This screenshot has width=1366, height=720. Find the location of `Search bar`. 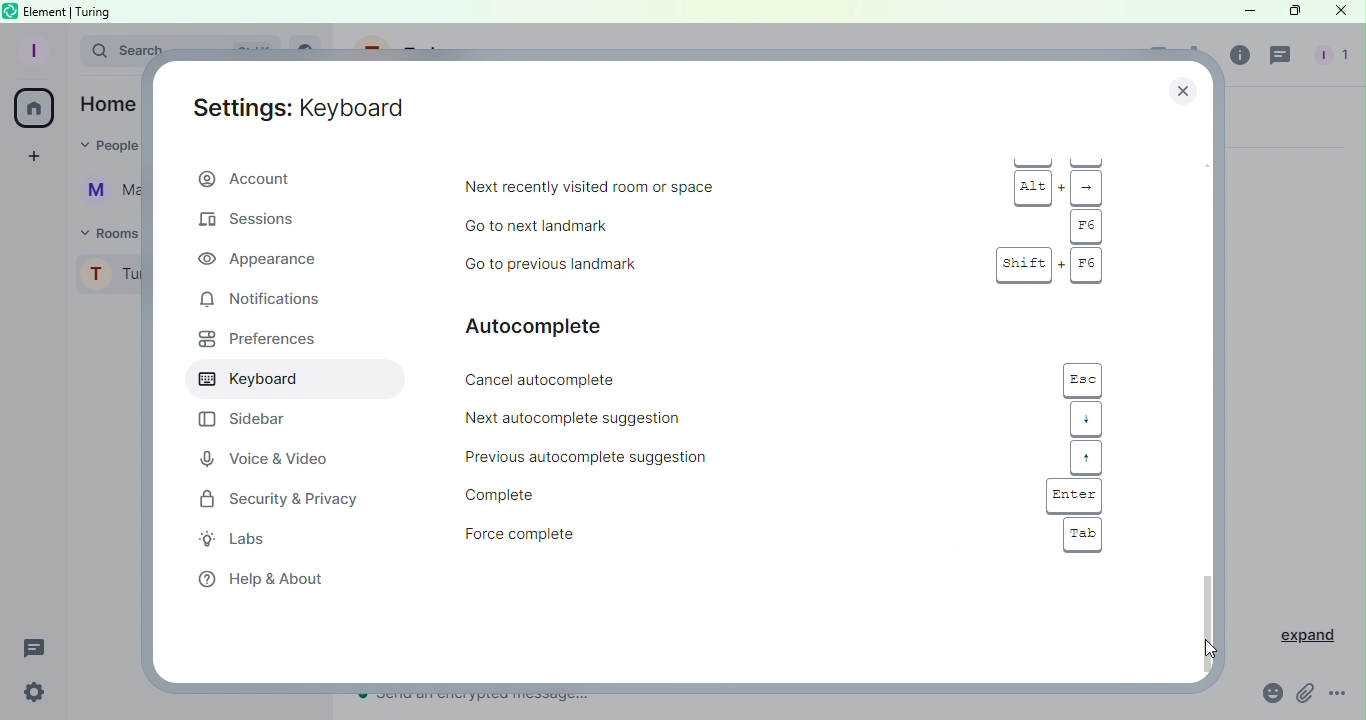

Search bar is located at coordinates (117, 48).